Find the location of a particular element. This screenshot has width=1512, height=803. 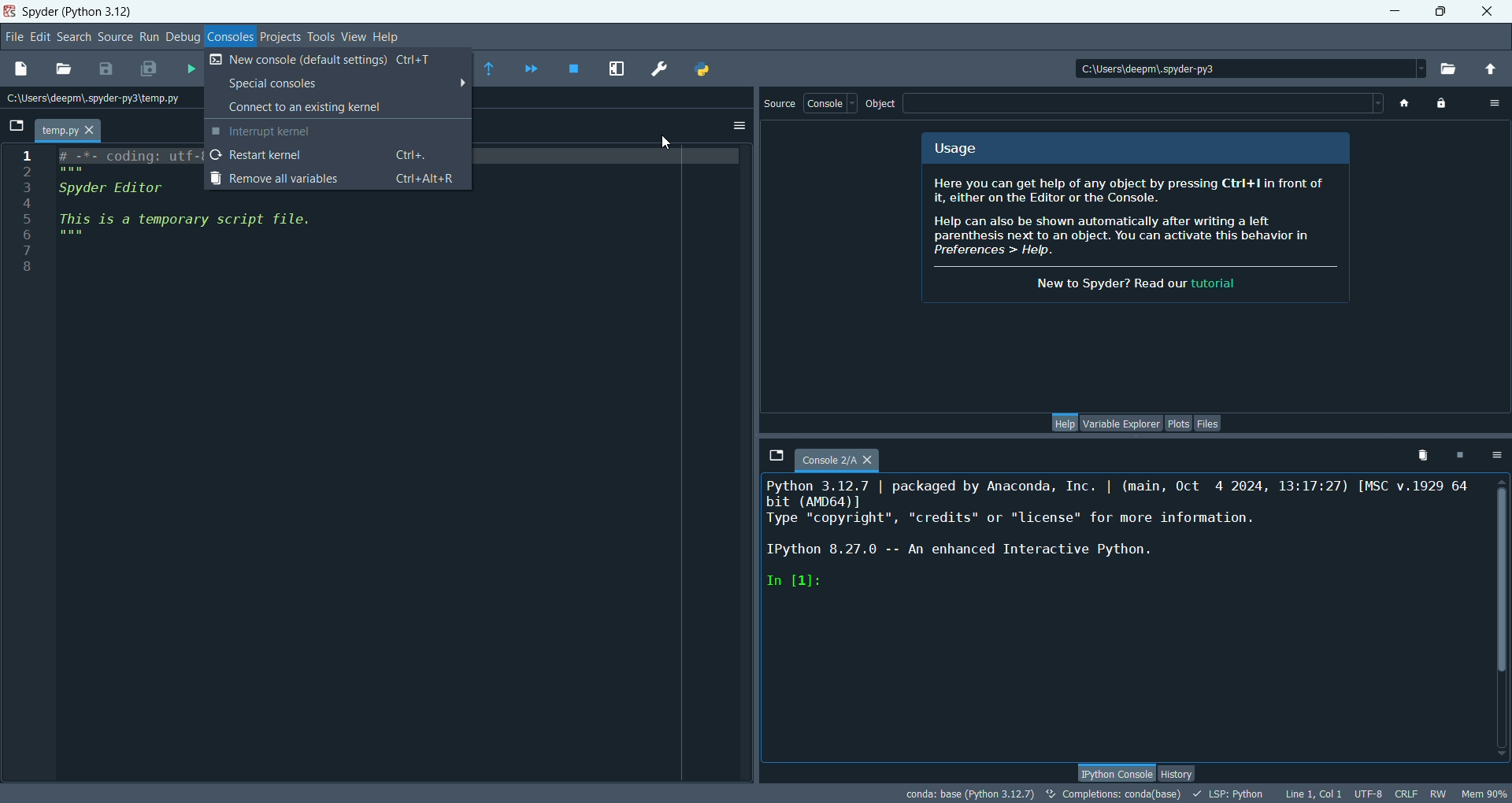

open is located at coordinates (62, 68).